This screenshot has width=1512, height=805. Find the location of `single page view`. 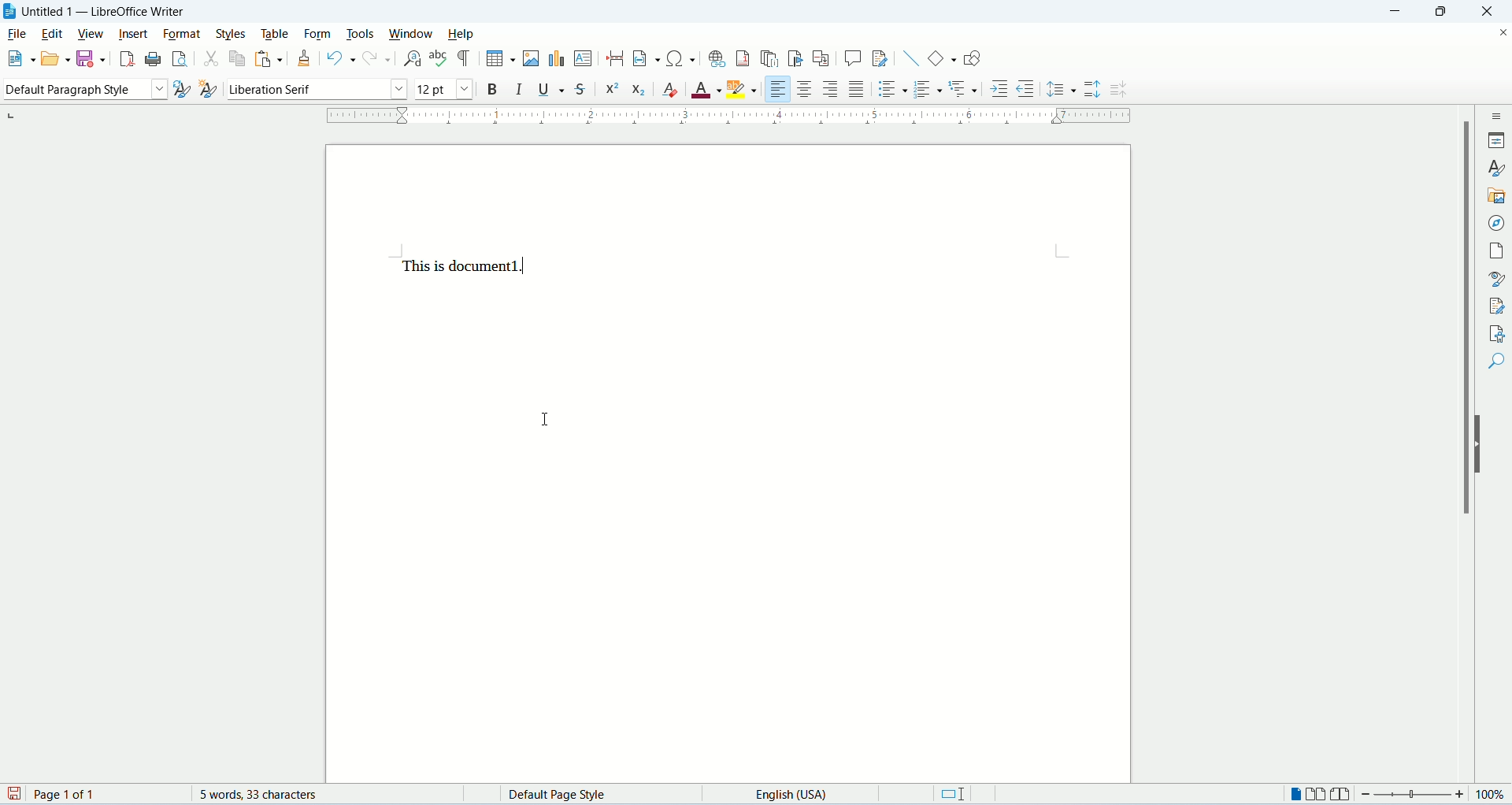

single page view is located at coordinates (1295, 793).